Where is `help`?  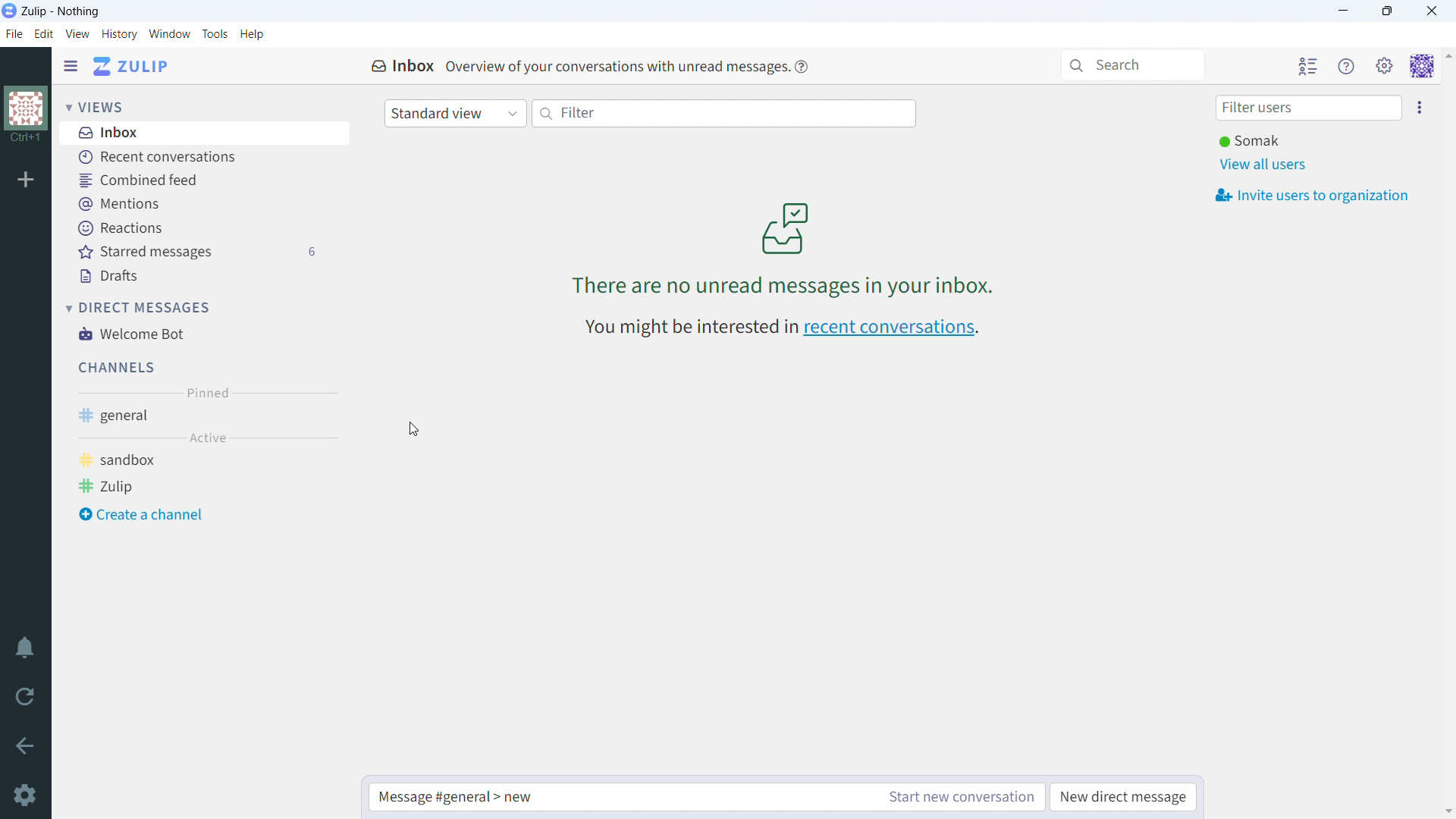
help is located at coordinates (802, 67).